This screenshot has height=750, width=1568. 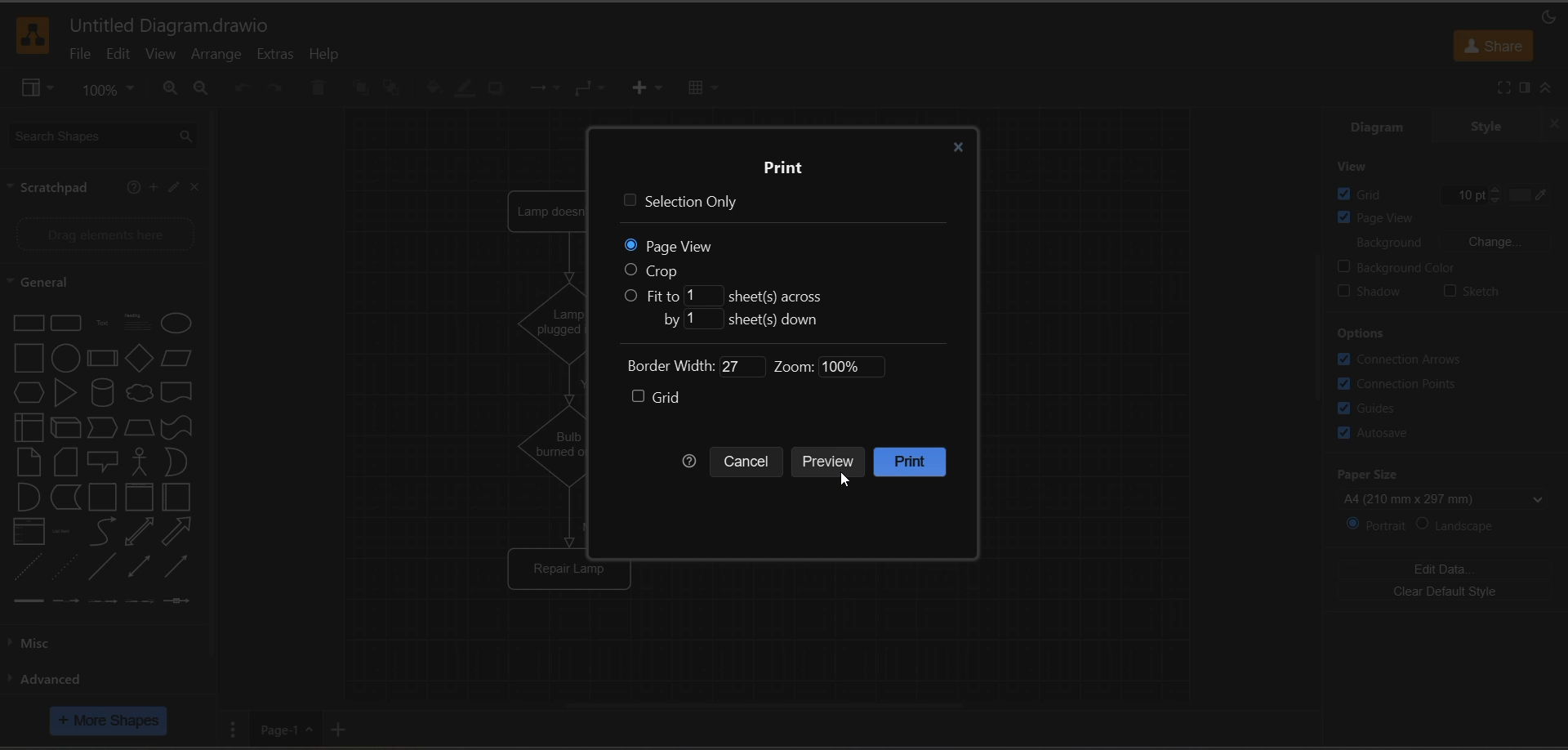 I want to click on edit, so click(x=116, y=56).